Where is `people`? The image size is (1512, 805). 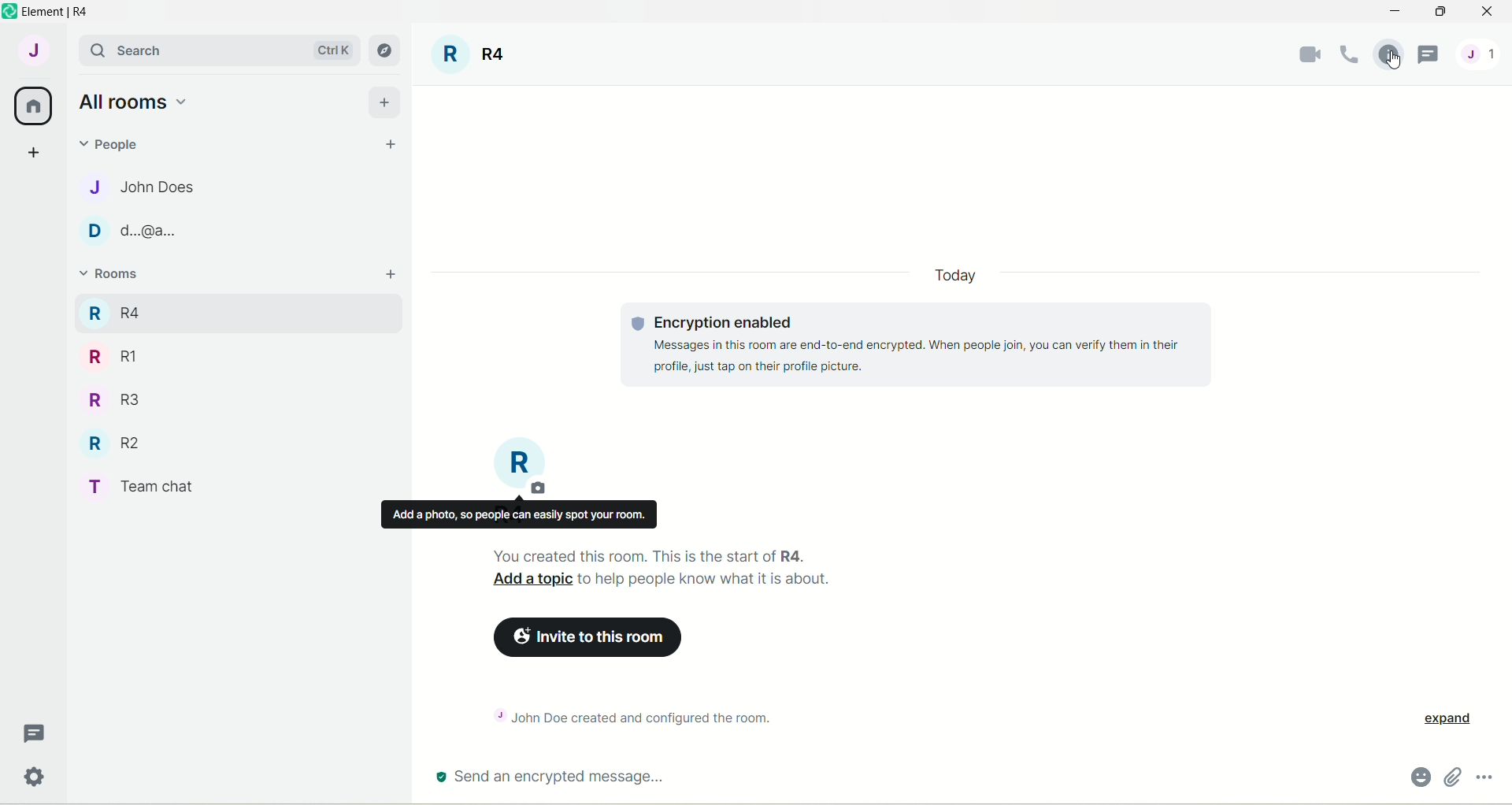 people is located at coordinates (115, 143).